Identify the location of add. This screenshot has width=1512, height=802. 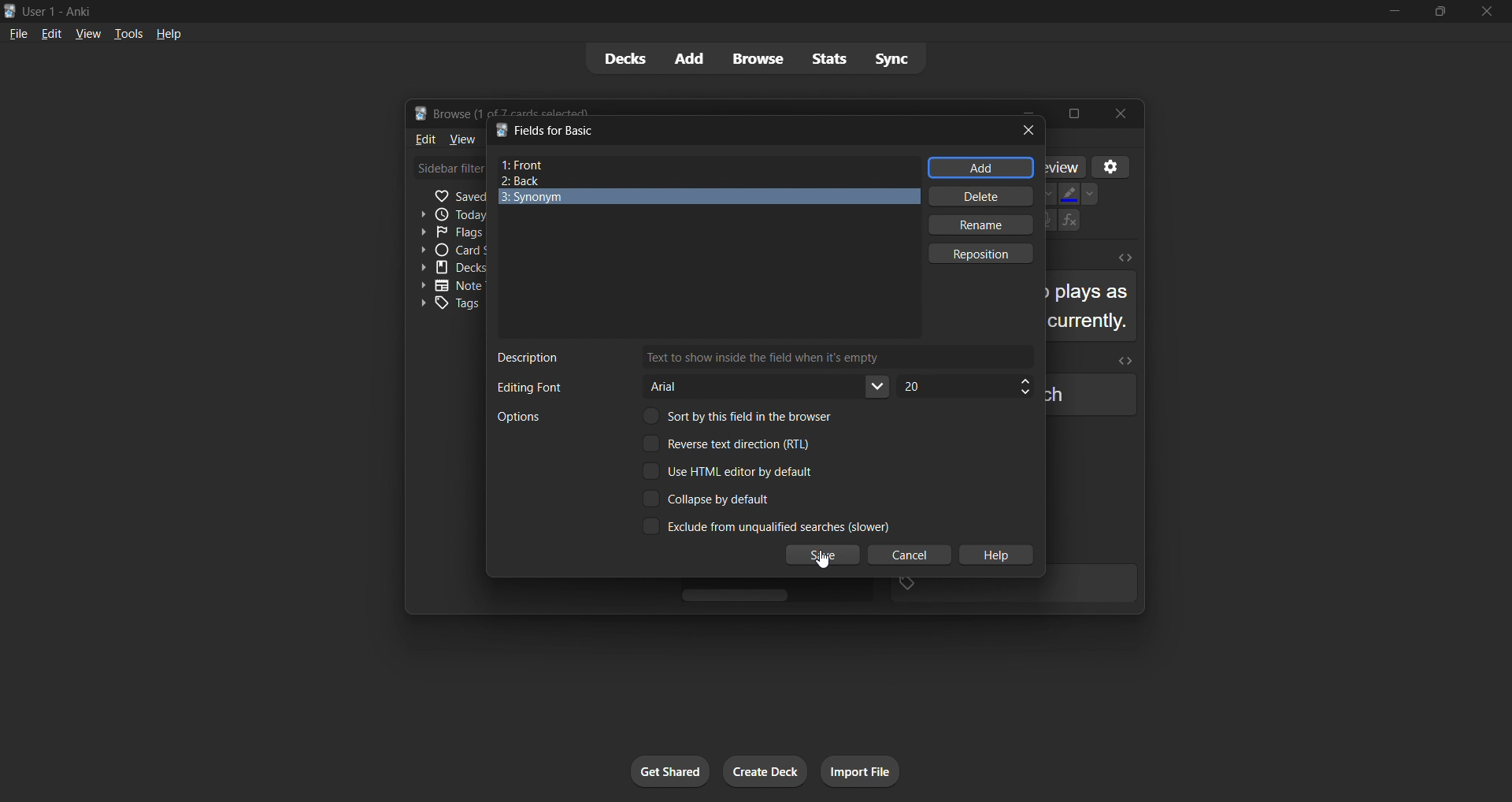
(691, 58).